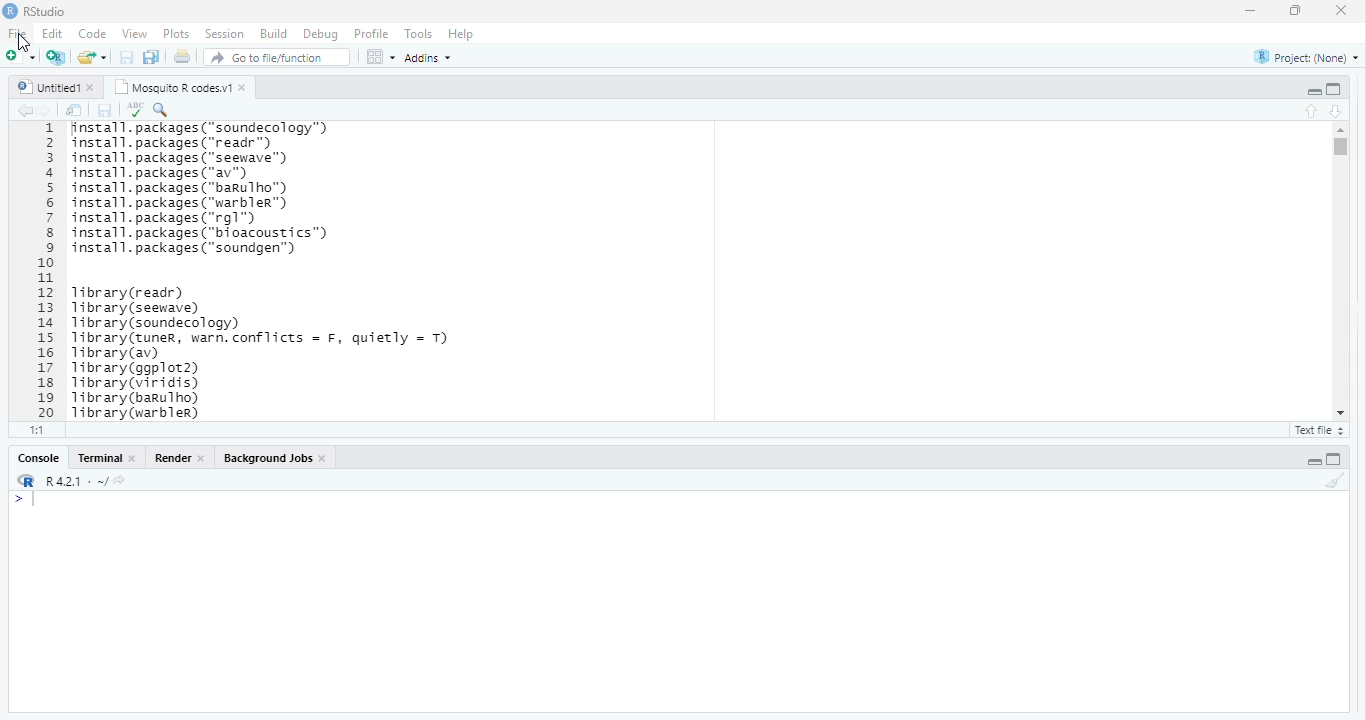 The width and height of the screenshot is (1366, 720). I want to click on Console, so click(40, 458).